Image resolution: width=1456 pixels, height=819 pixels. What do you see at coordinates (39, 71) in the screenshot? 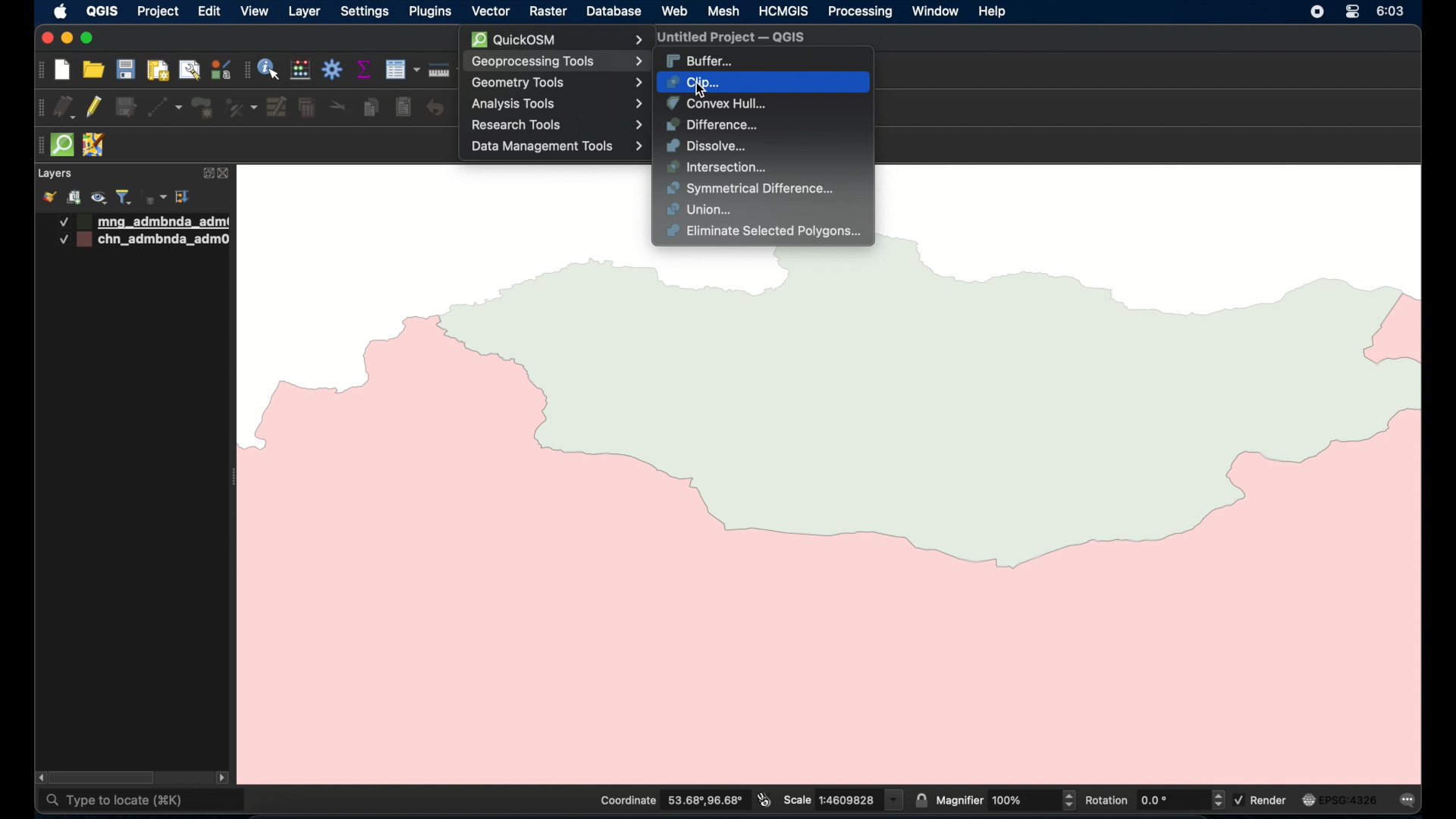
I see `project toolbar` at bounding box center [39, 71].